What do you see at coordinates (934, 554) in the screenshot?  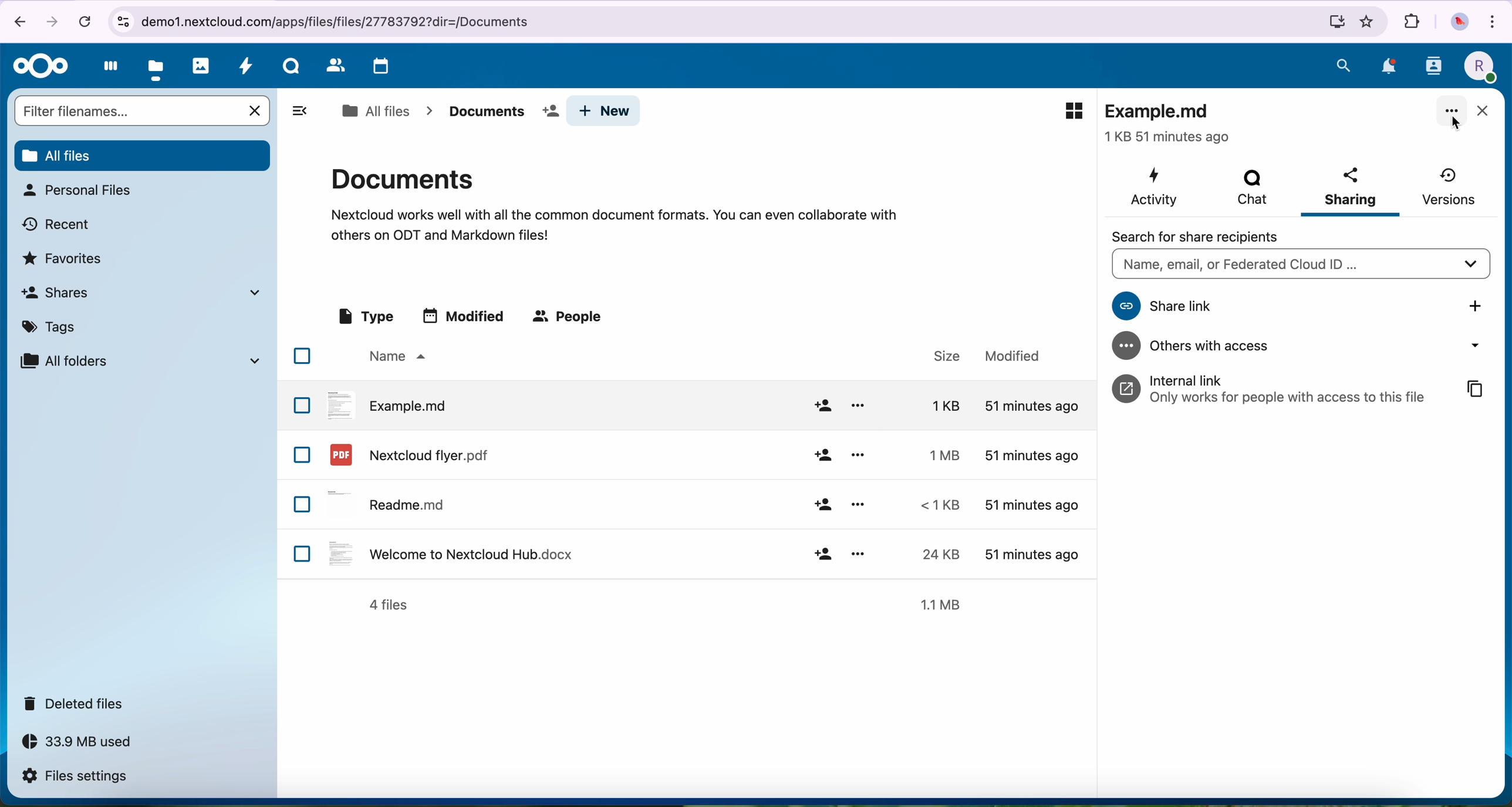 I see `size` at bounding box center [934, 554].